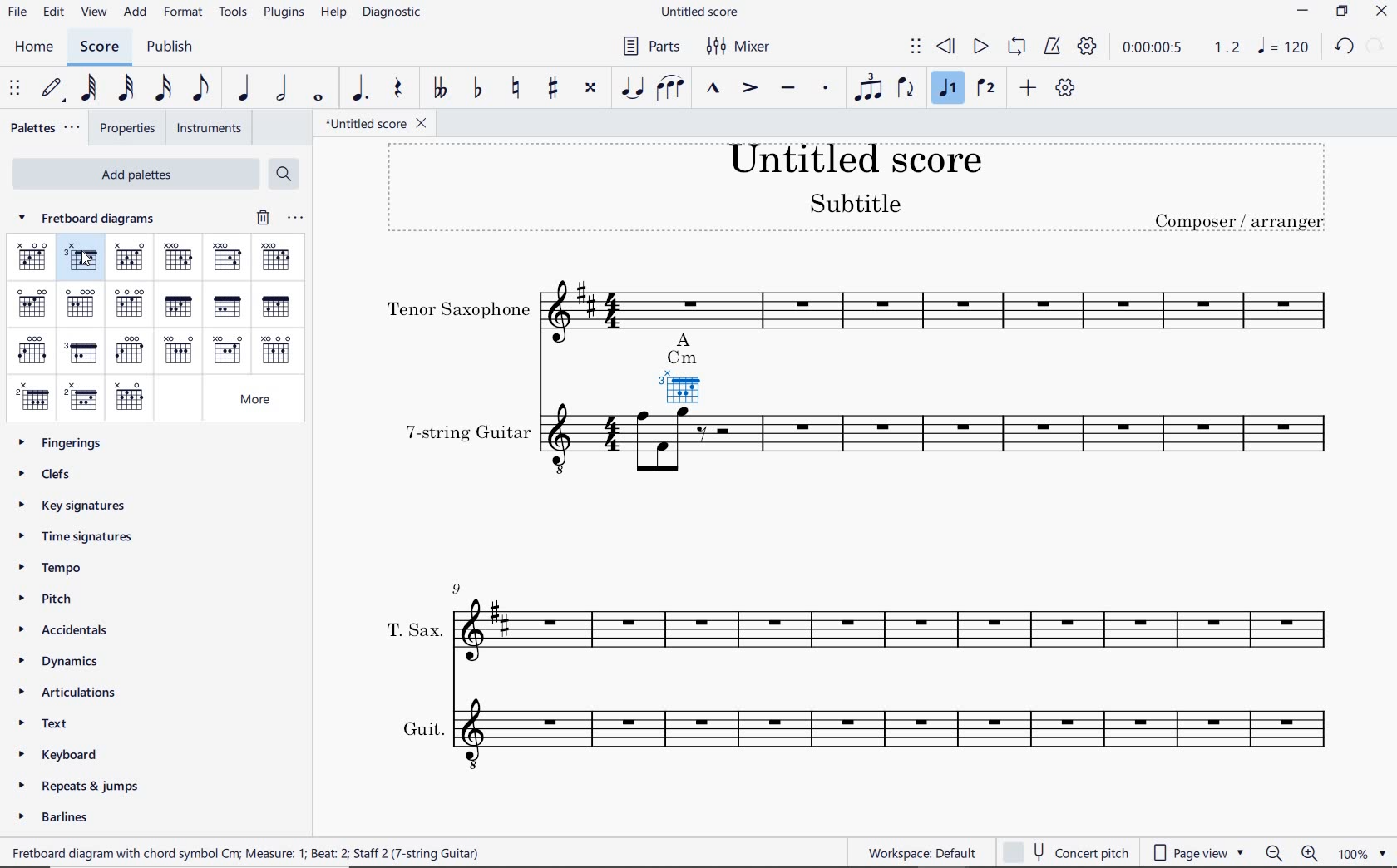  Describe the element at coordinates (31, 397) in the screenshot. I see `B` at that location.